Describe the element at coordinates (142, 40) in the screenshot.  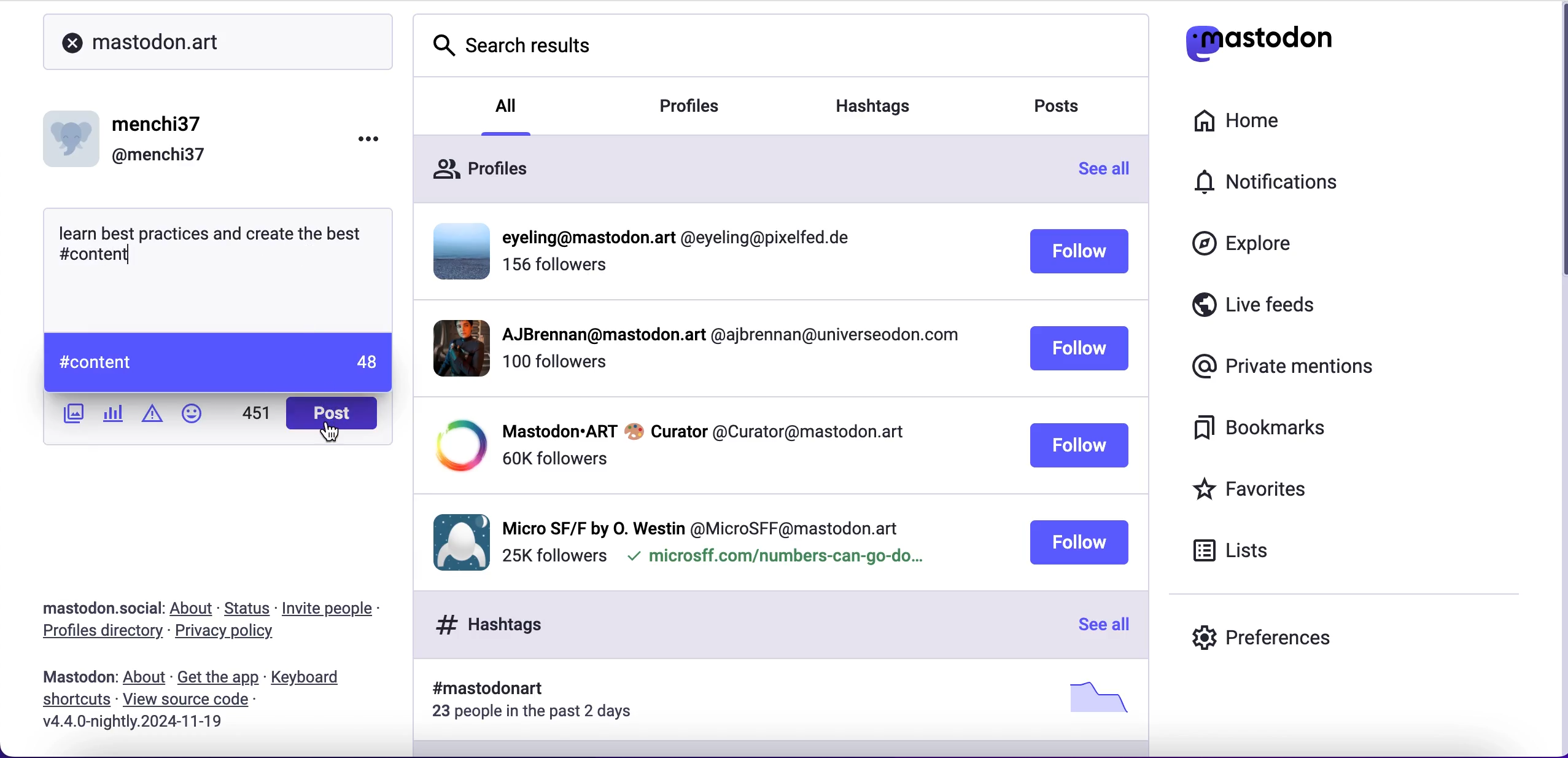
I see `mastodon.art` at that location.